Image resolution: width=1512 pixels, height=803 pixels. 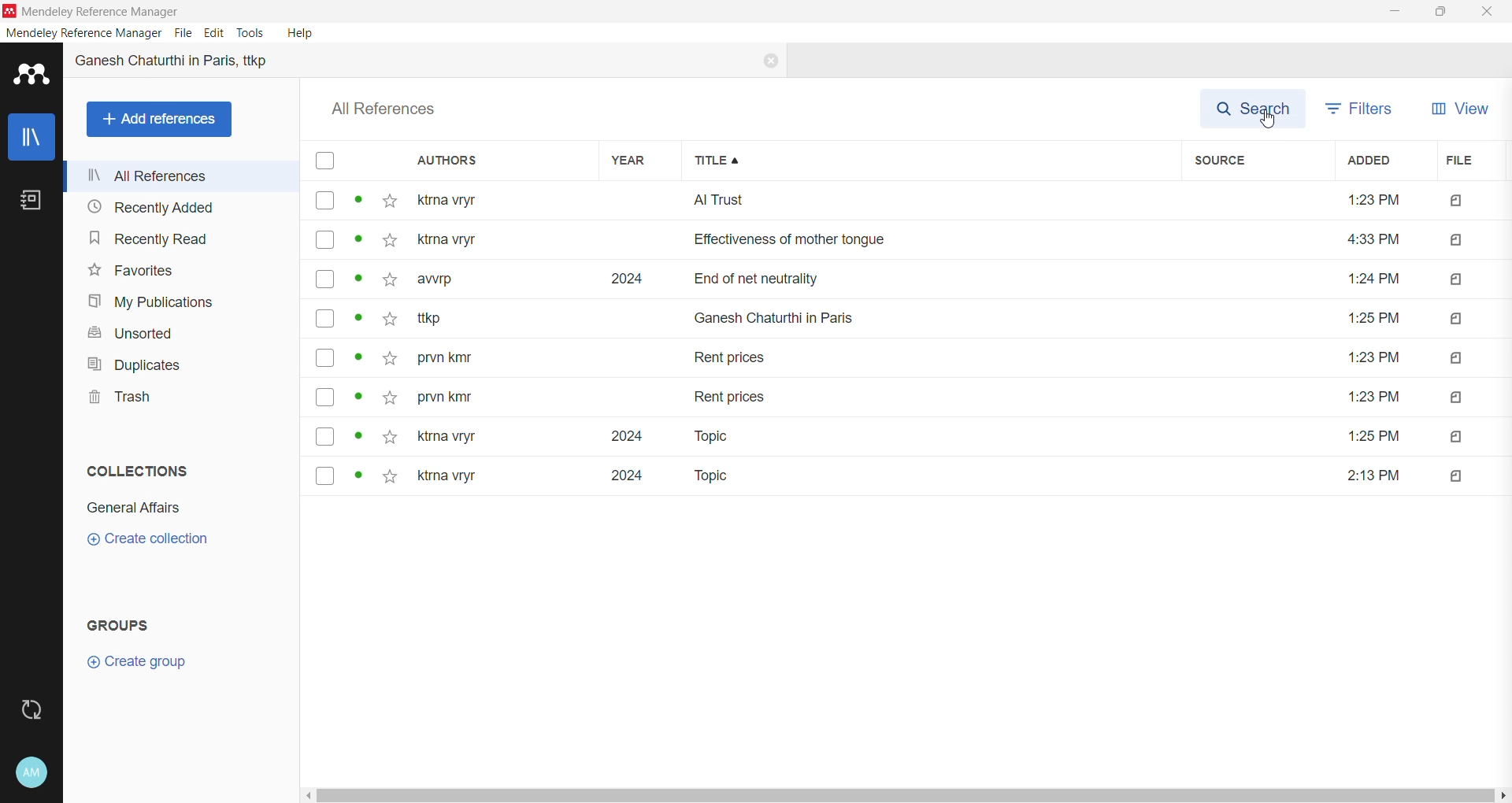 I want to click on view status, so click(x=361, y=279).